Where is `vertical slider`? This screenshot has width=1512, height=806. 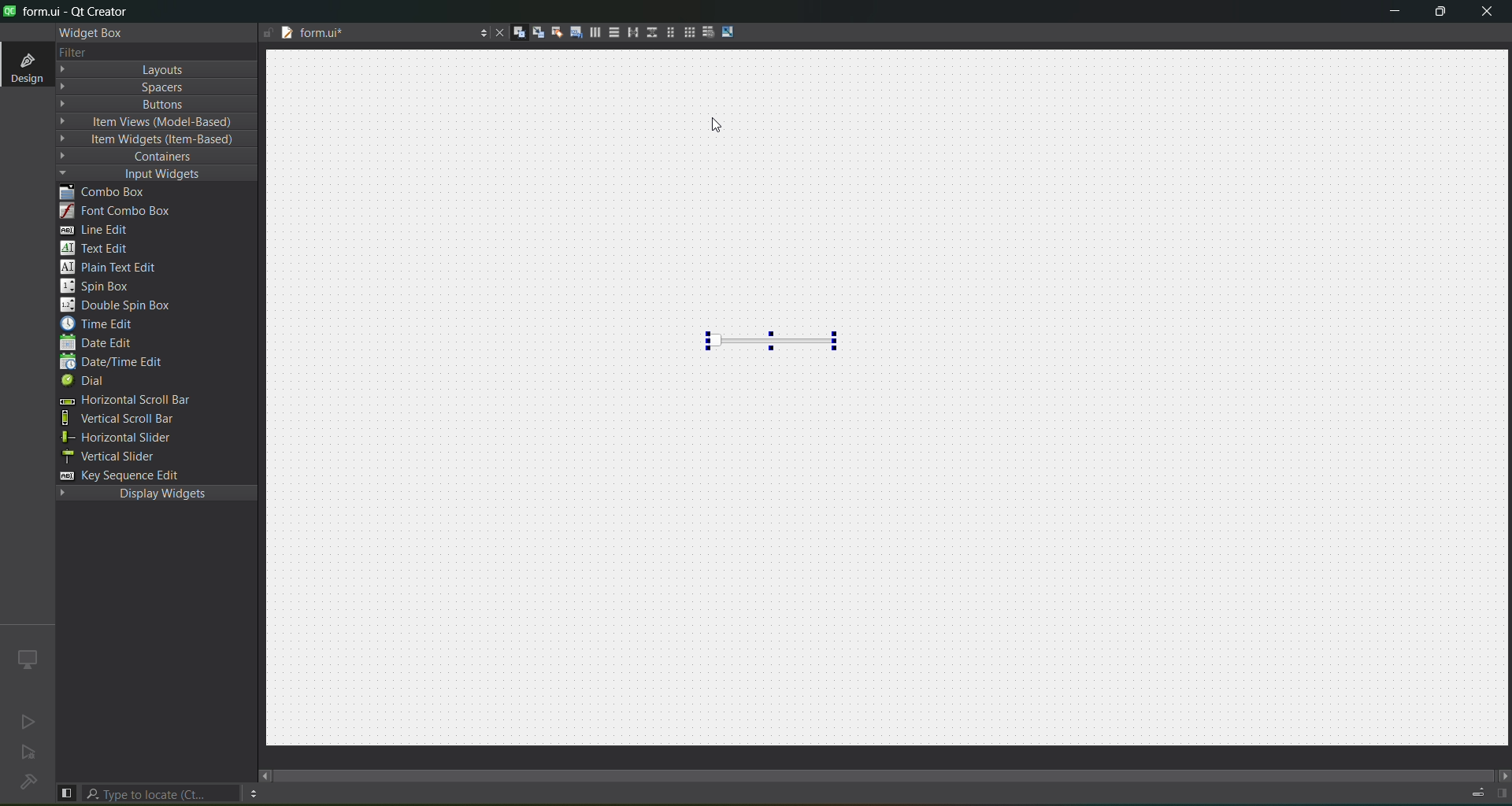 vertical slider is located at coordinates (112, 457).